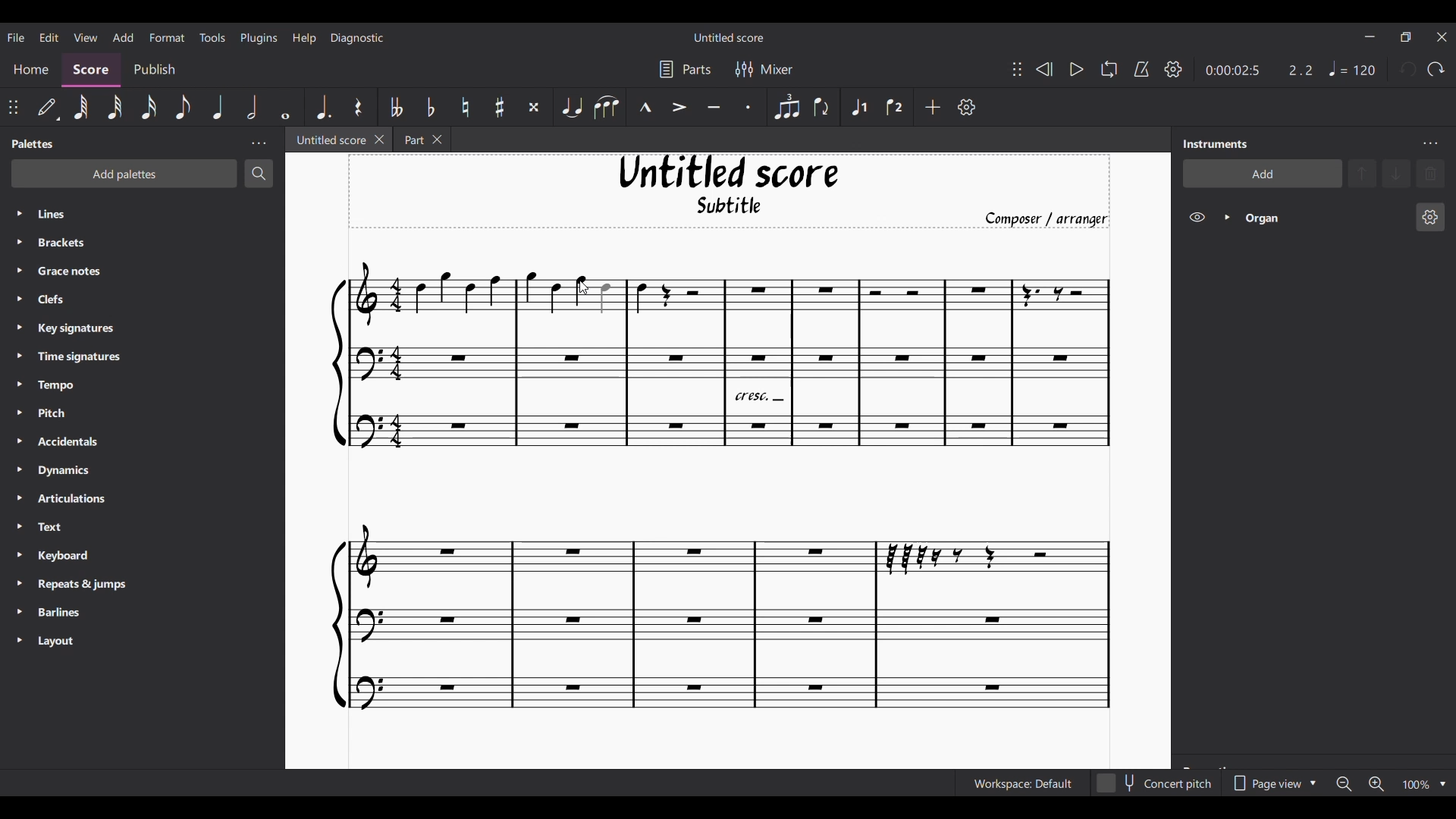  Describe the element at coordinates (431, 107) in the screenshot. I see `Toggle flat` at that location.